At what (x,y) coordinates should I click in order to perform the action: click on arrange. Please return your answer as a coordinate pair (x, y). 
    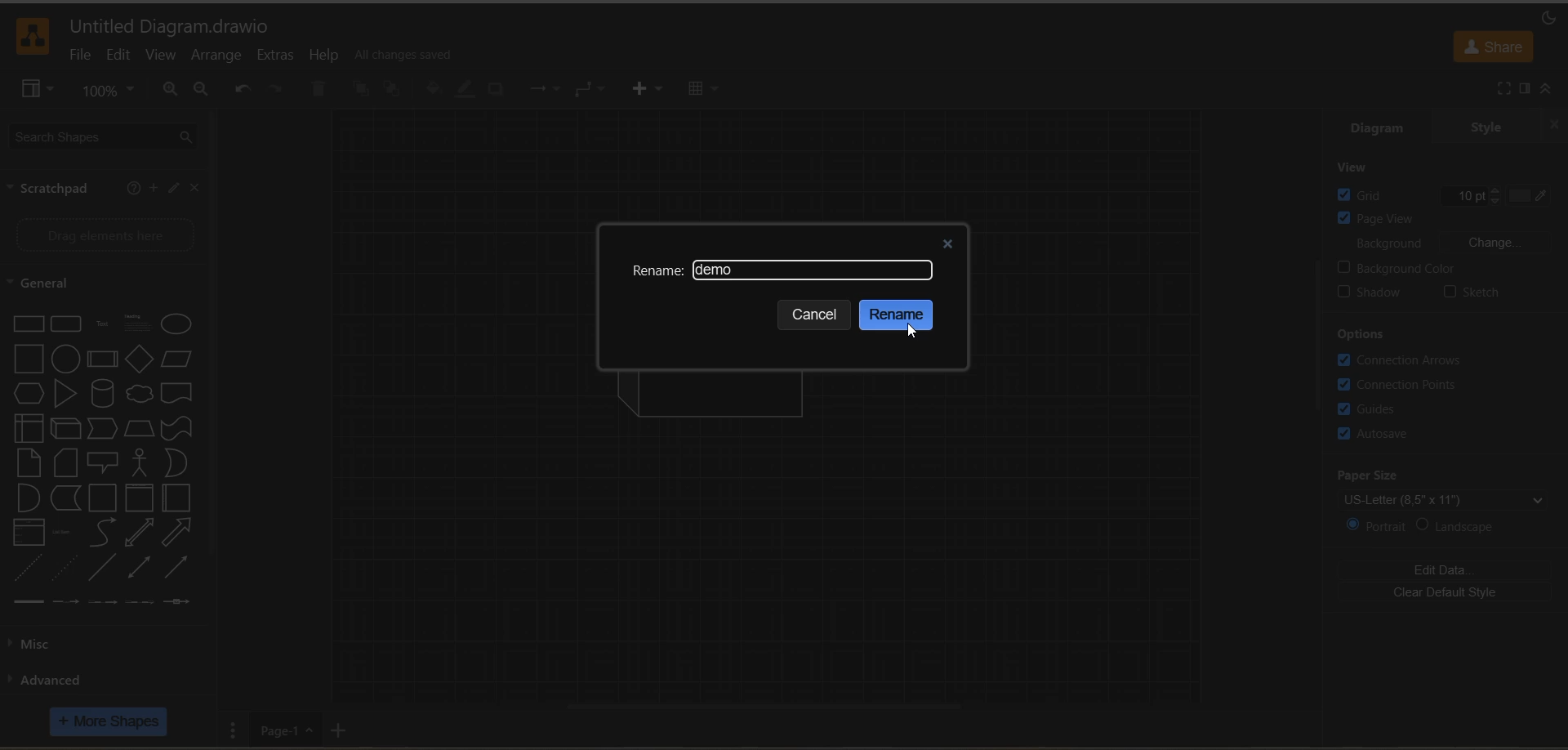
    Looking at the image, I should click on (221, 57).